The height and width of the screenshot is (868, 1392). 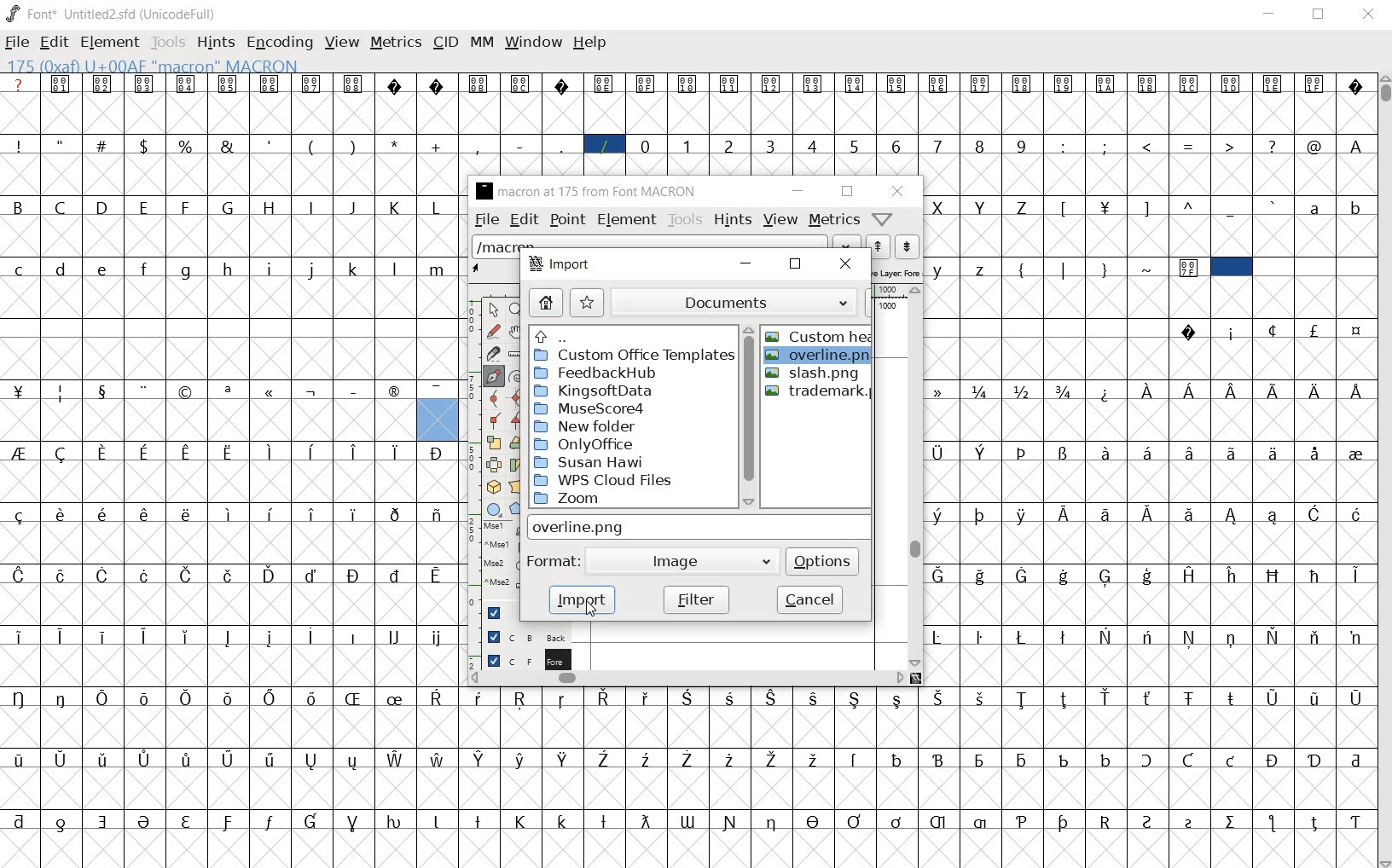 I want to click on Symbol, so click(x=980, y=758).